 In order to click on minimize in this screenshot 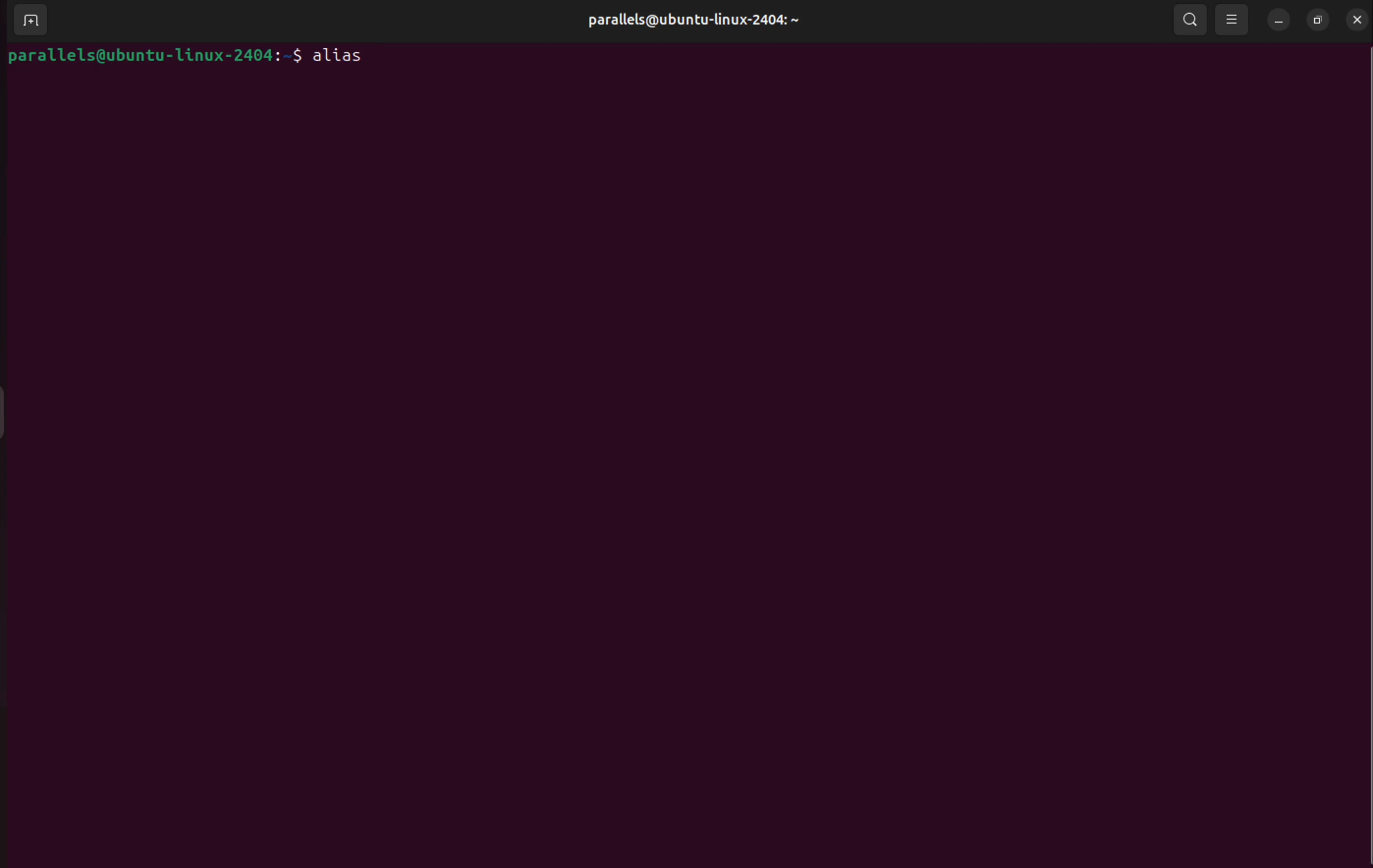, I will do `click(1276, 19)`.